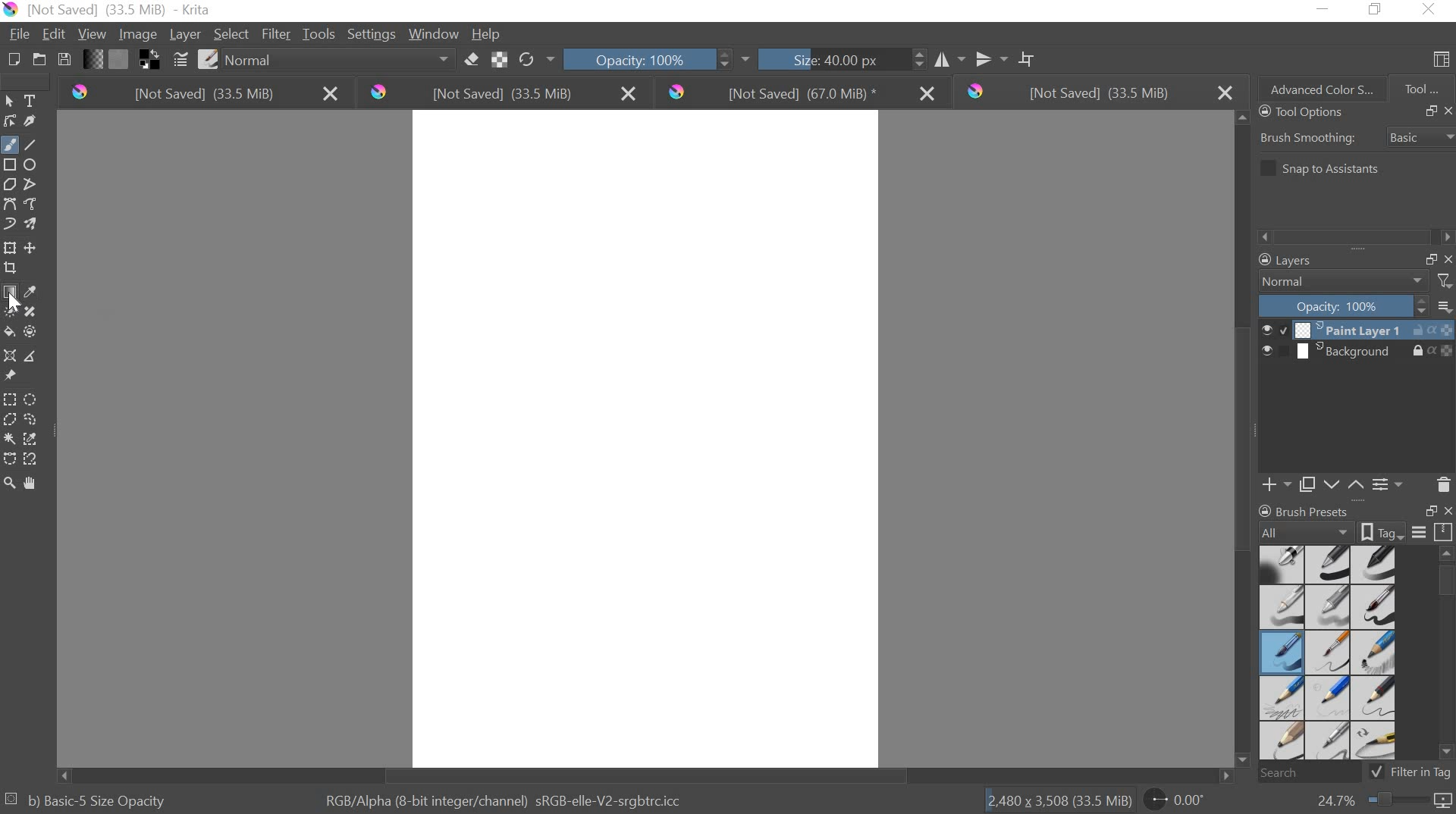  What do you see at coordinates (92, 799) in the screenshot?
I see `b) basic 5 size opacity` at bounding box center [92, 799].